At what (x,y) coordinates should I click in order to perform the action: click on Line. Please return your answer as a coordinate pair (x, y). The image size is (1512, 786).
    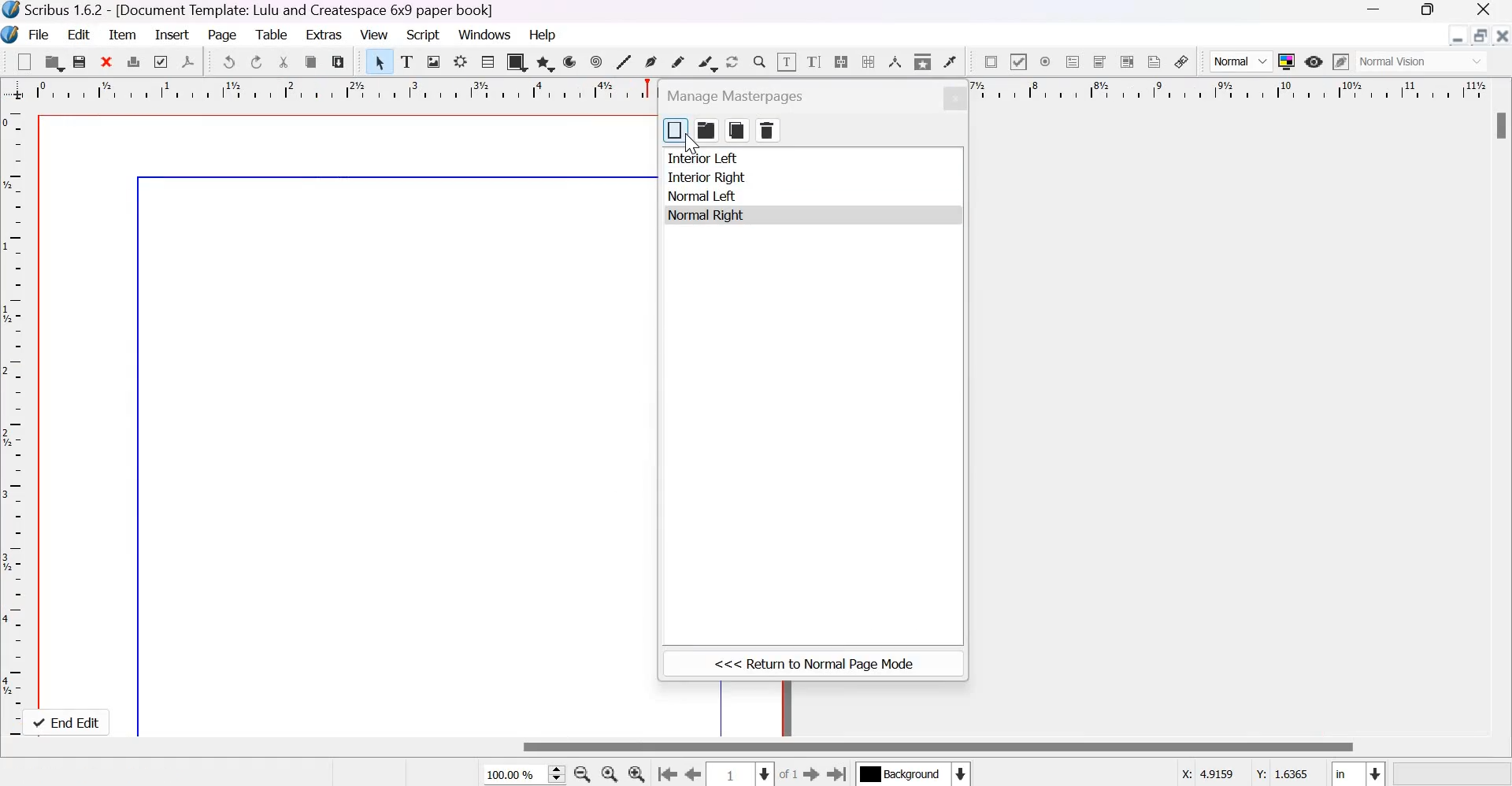
    Looking at the image, I should click on (624, 63).